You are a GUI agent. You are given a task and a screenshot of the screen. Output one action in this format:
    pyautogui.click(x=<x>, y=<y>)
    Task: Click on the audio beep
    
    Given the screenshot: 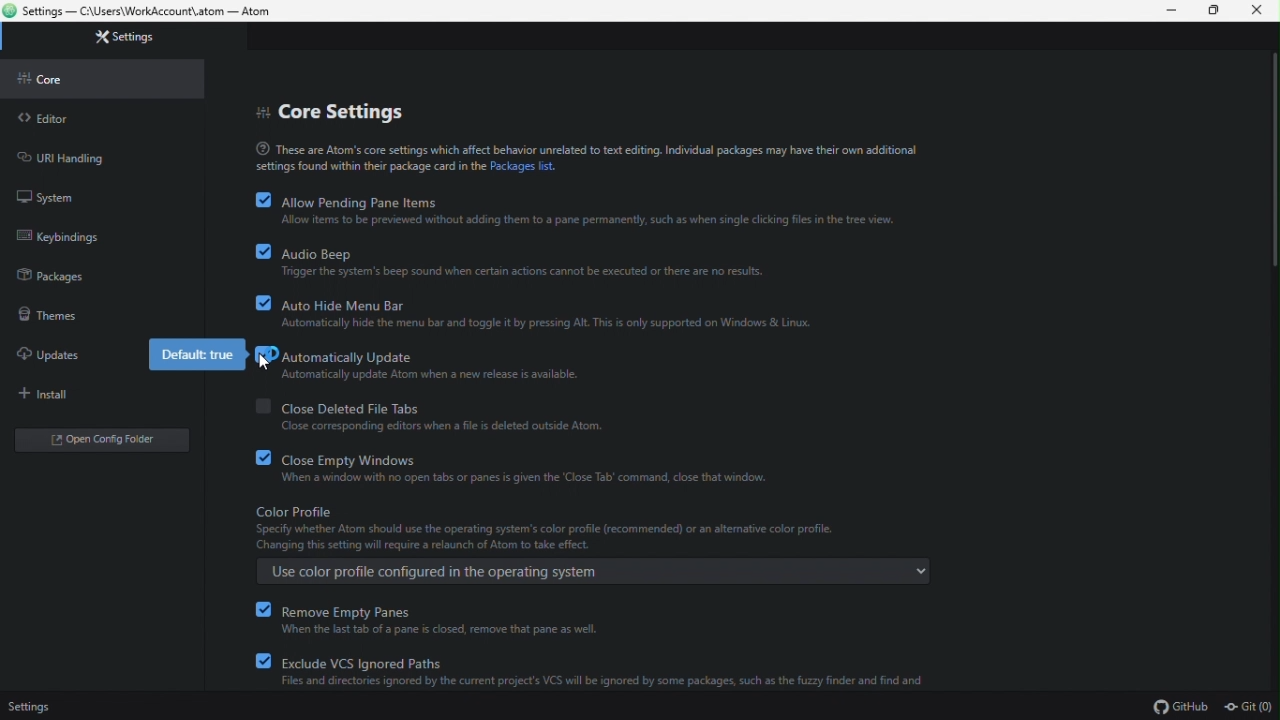 What is the action you would take?
    pyautogui.click(x=514, y=262)
    